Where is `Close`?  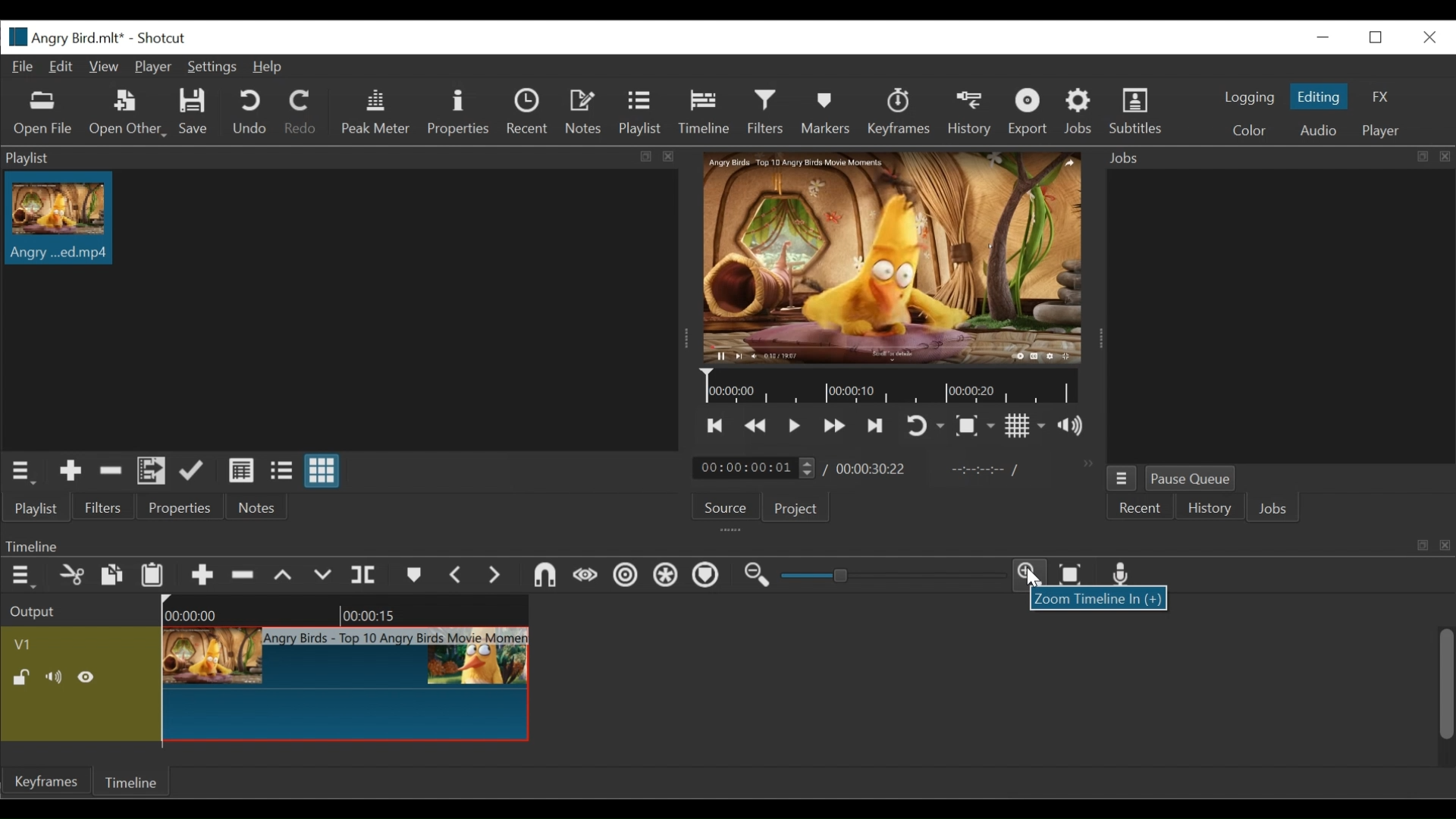
Close is located at coordinates (1428, 38).